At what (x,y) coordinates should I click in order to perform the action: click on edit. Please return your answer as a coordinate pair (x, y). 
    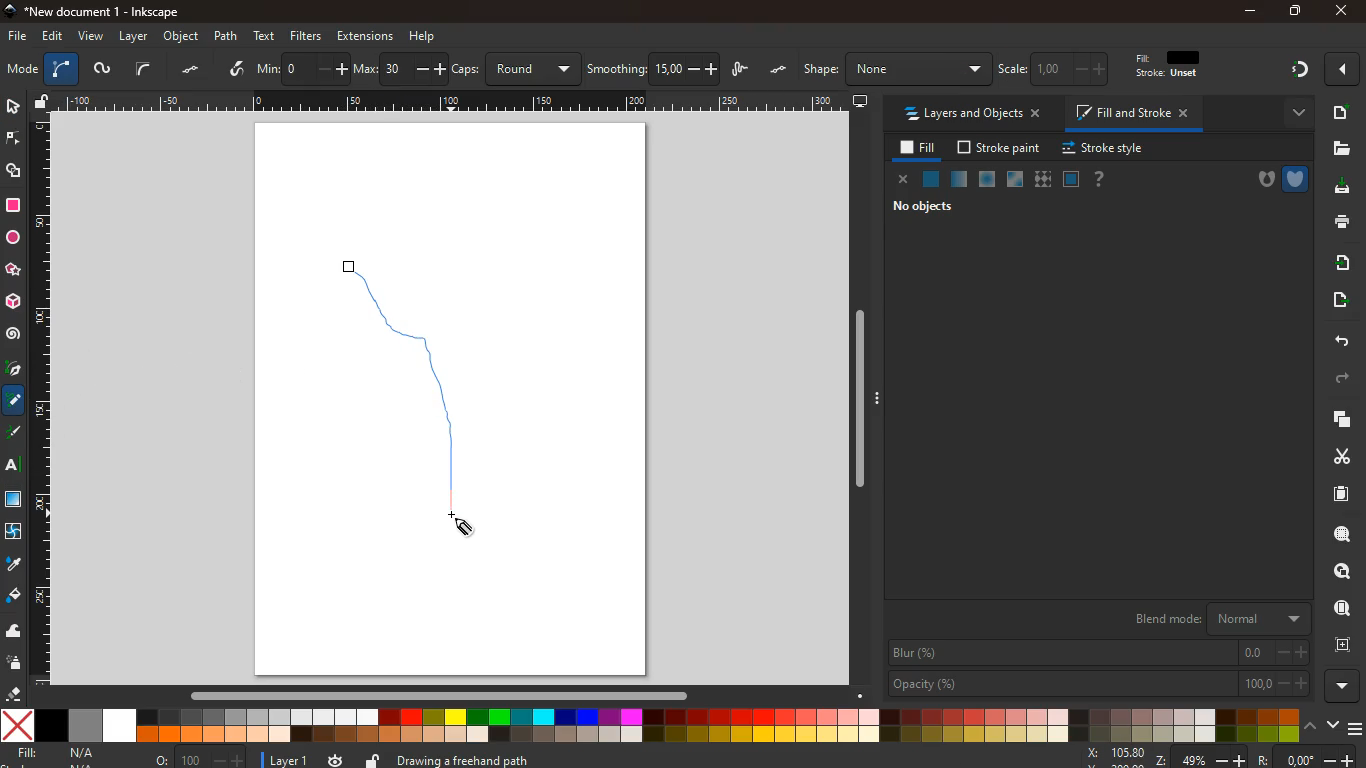
    Looking at the image, I should click on (1102, 68).